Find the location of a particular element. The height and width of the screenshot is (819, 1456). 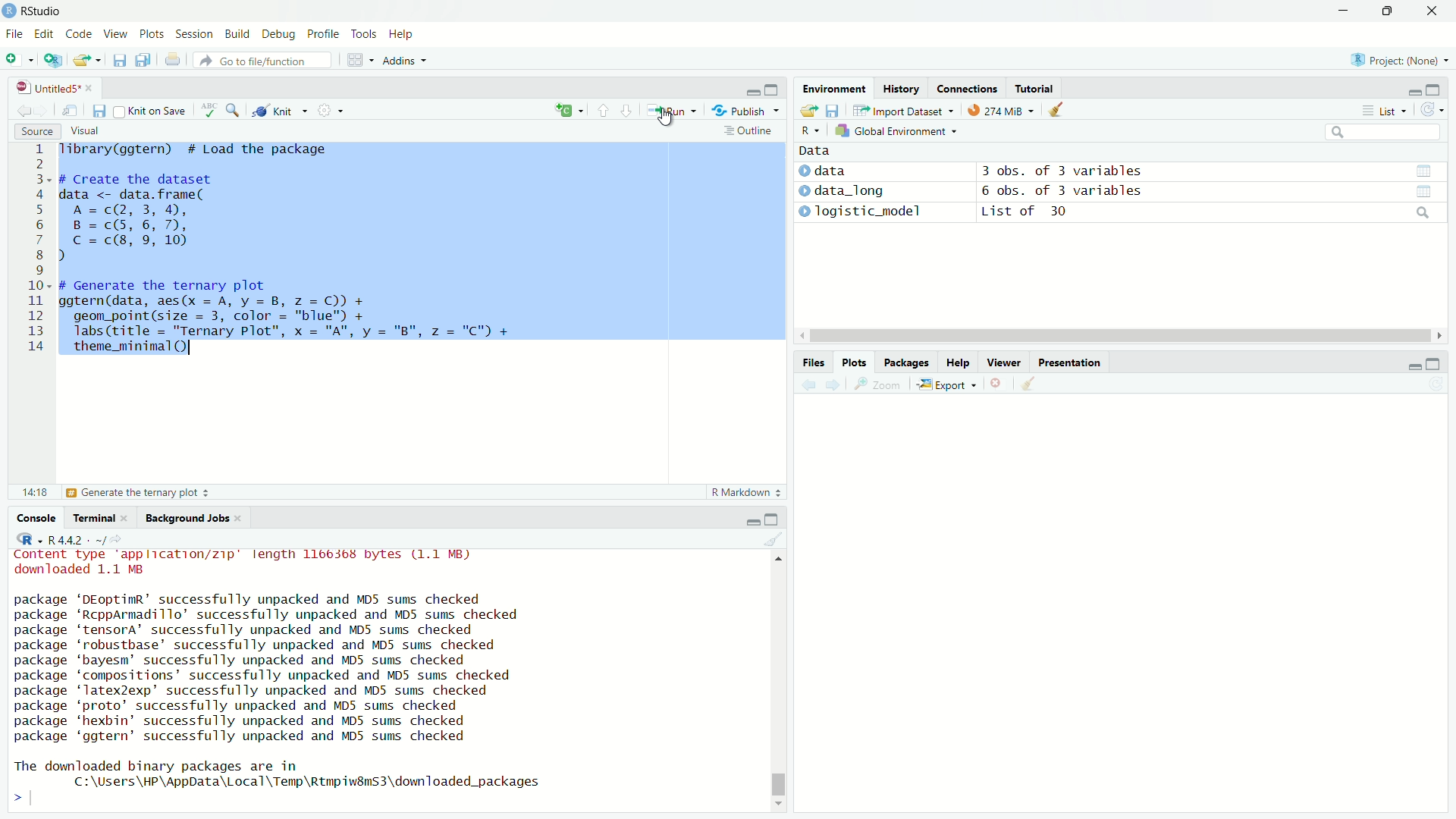

14:18 is located at coordinates (33, 491).